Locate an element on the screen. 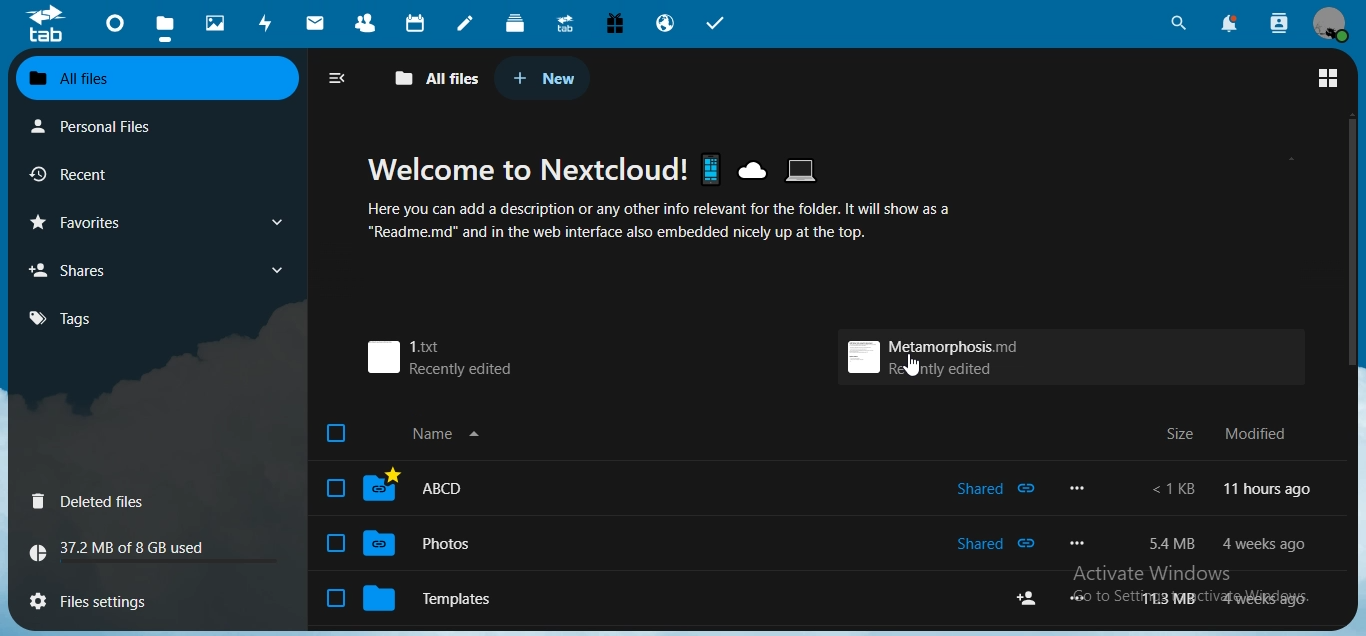 The image size is (1366, 636). shared is located at coordinates (999, 544).